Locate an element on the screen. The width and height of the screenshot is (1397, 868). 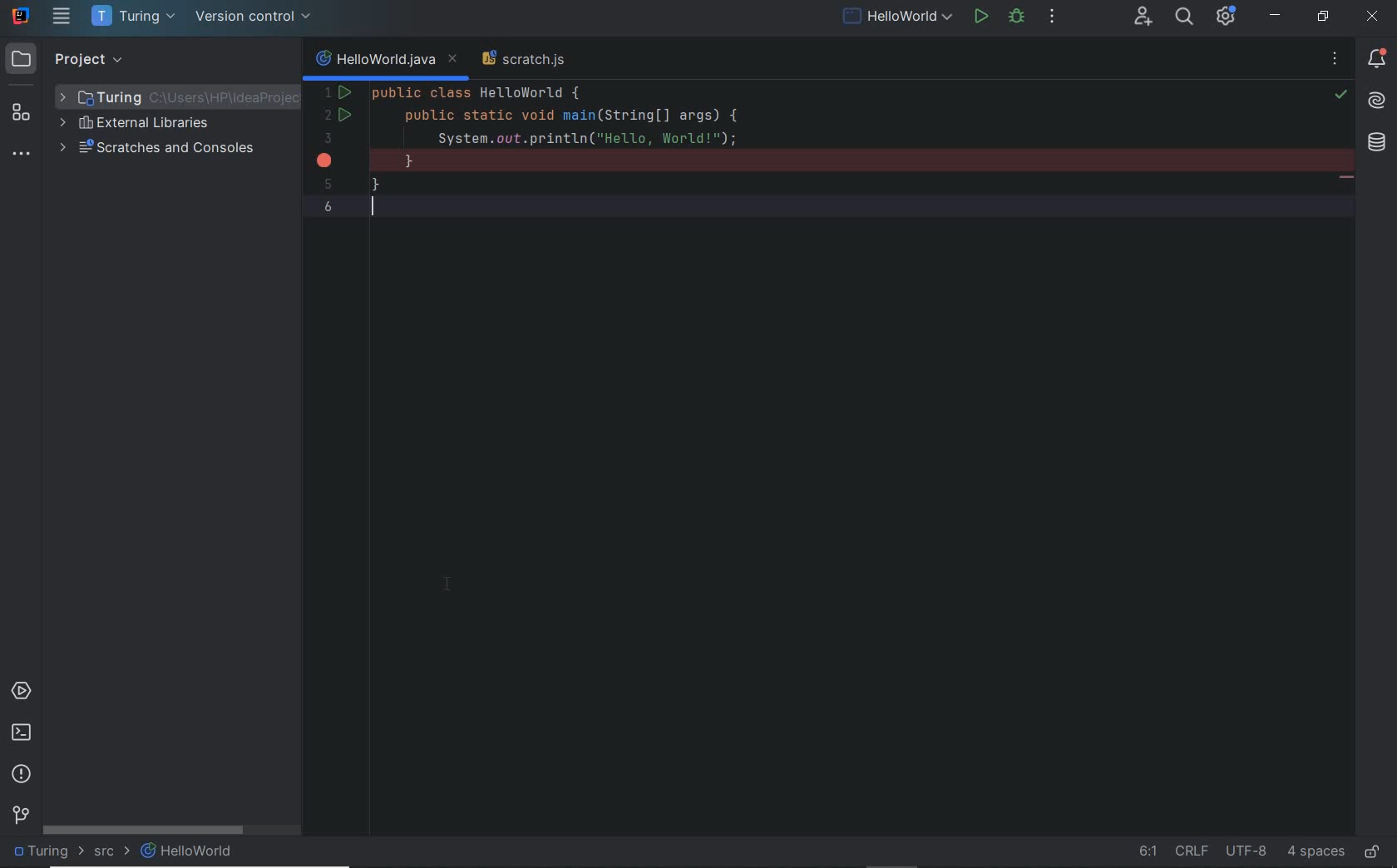
close tab is located at coordinates (453, 60).